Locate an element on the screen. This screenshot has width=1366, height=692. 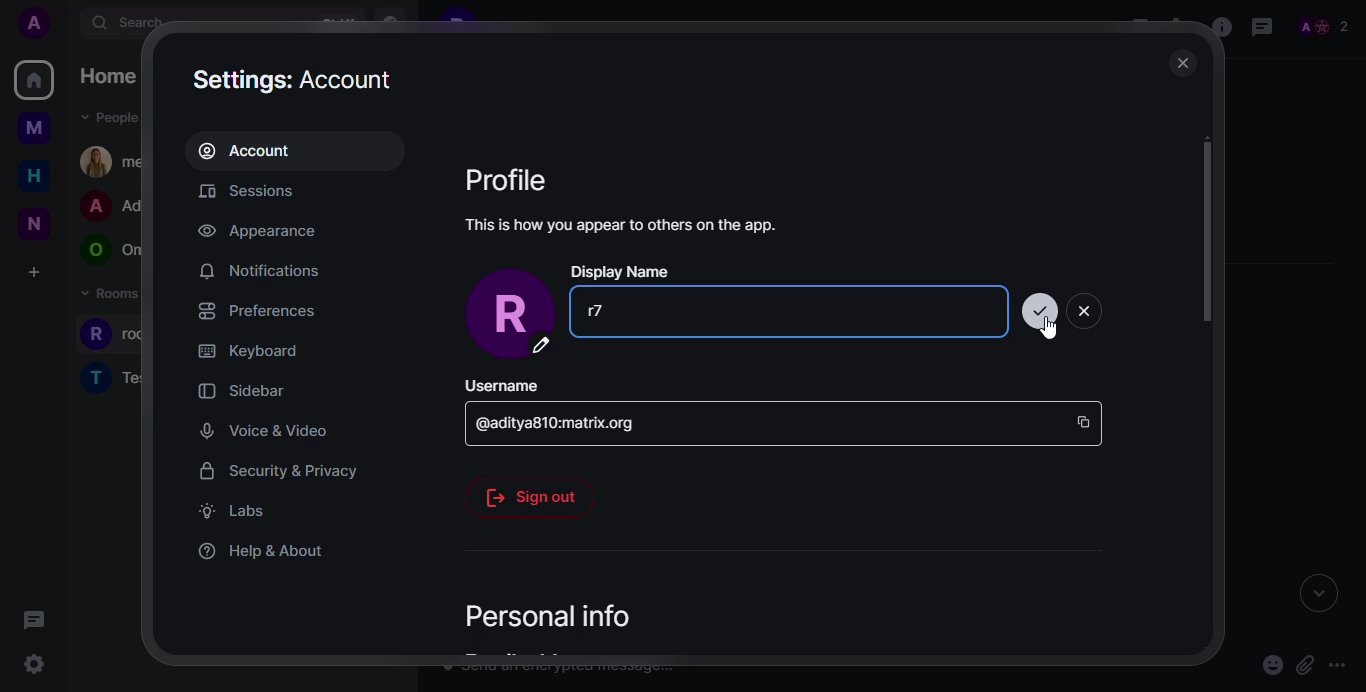
sign out is located at coordinates (528, 498).